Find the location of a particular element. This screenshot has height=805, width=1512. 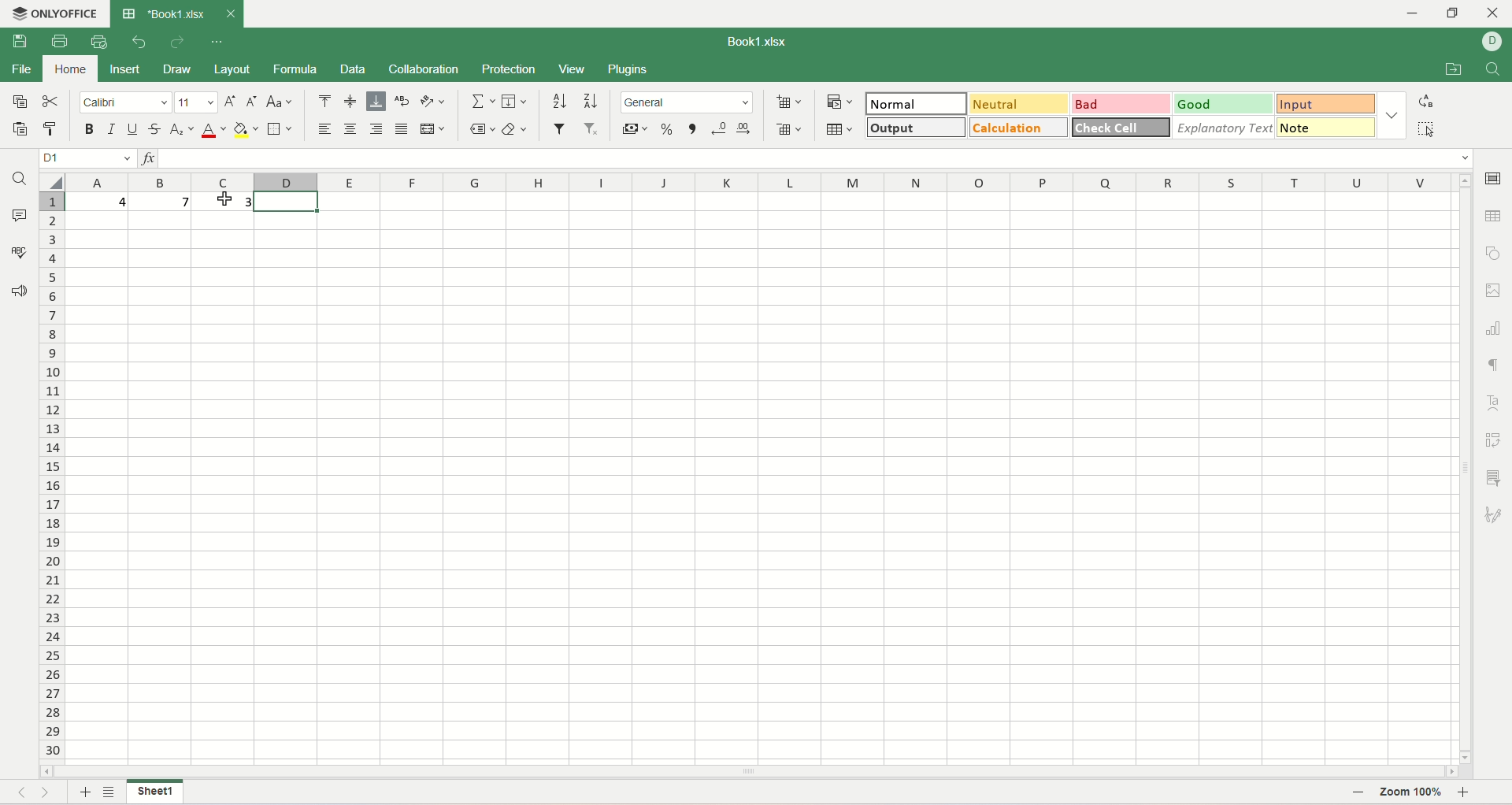

replace is located at coordinates (1425, 102).